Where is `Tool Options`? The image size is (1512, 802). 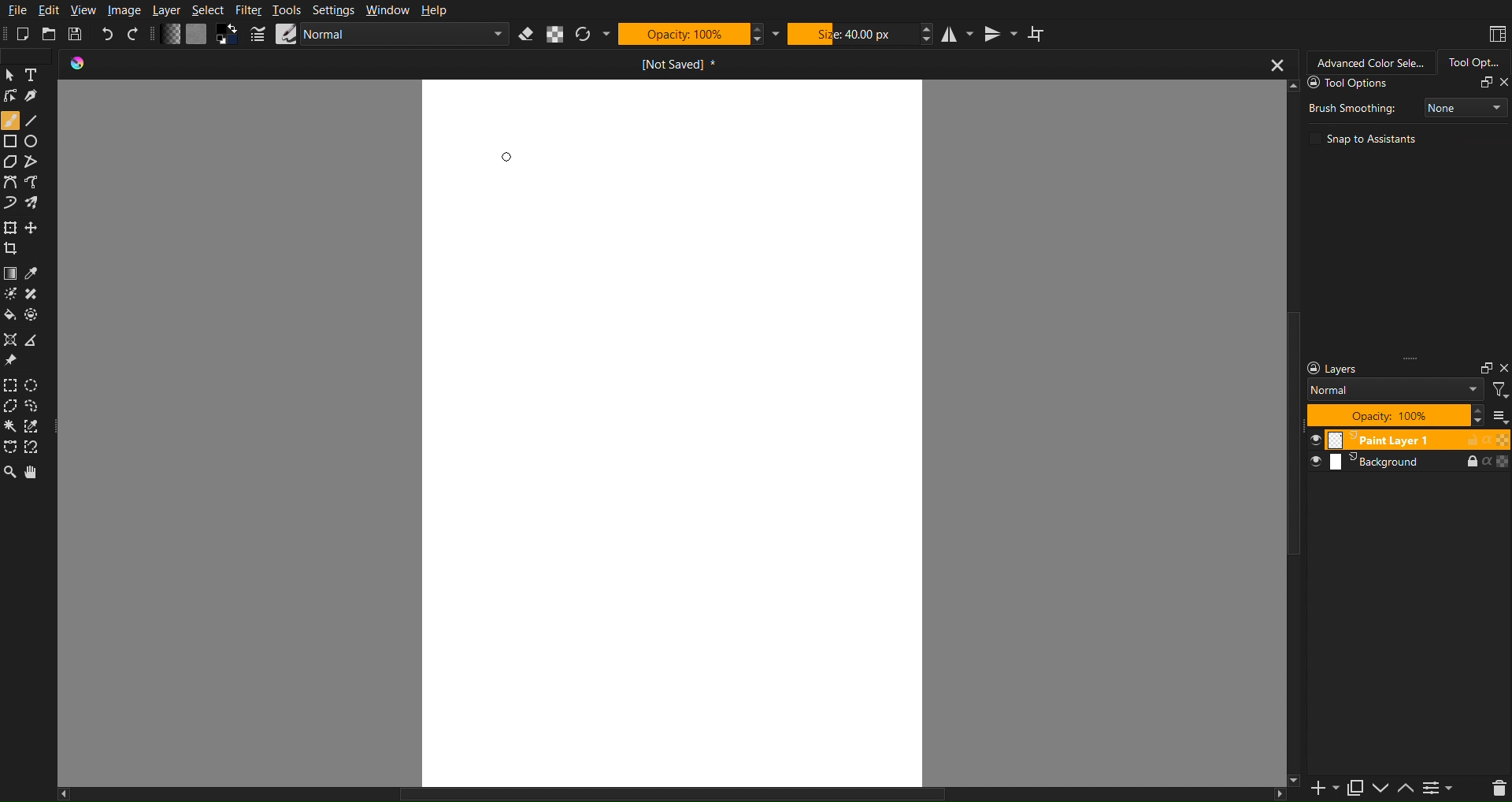 Tool Options is located at coordinates (1381, 84).